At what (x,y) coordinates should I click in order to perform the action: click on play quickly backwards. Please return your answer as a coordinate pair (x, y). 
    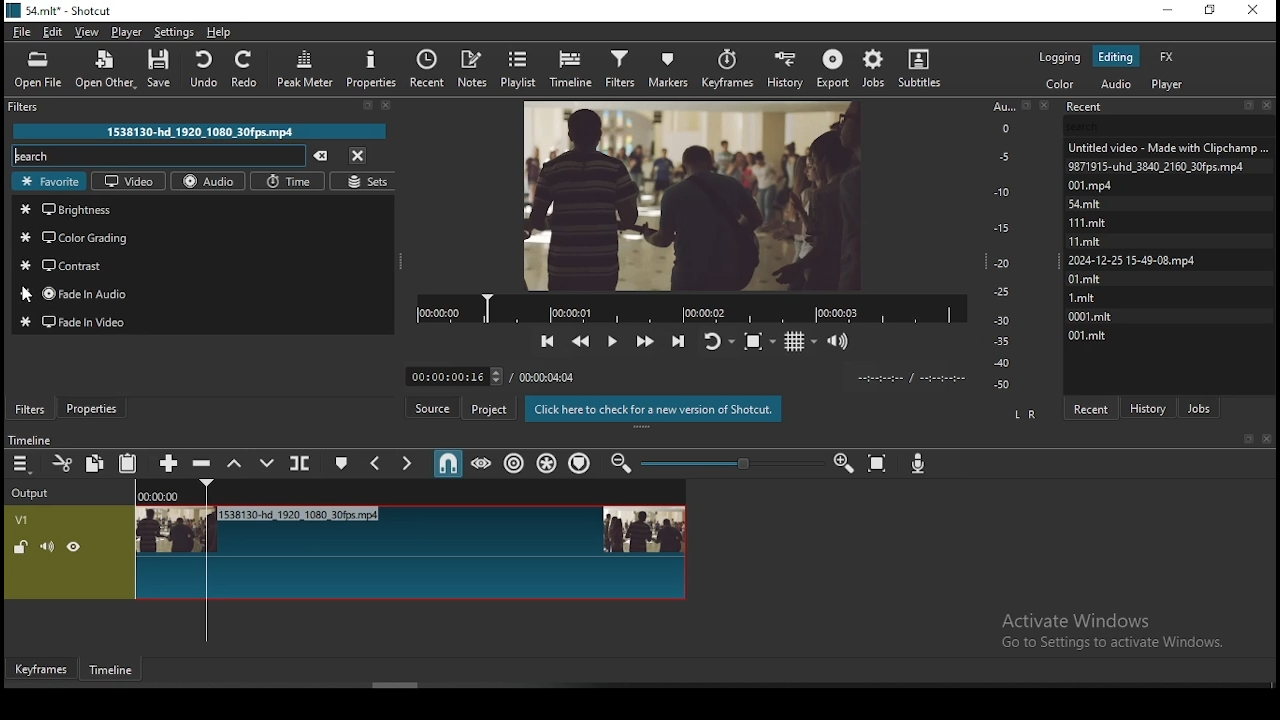
    Looking at the image, I should click on (583, 338).